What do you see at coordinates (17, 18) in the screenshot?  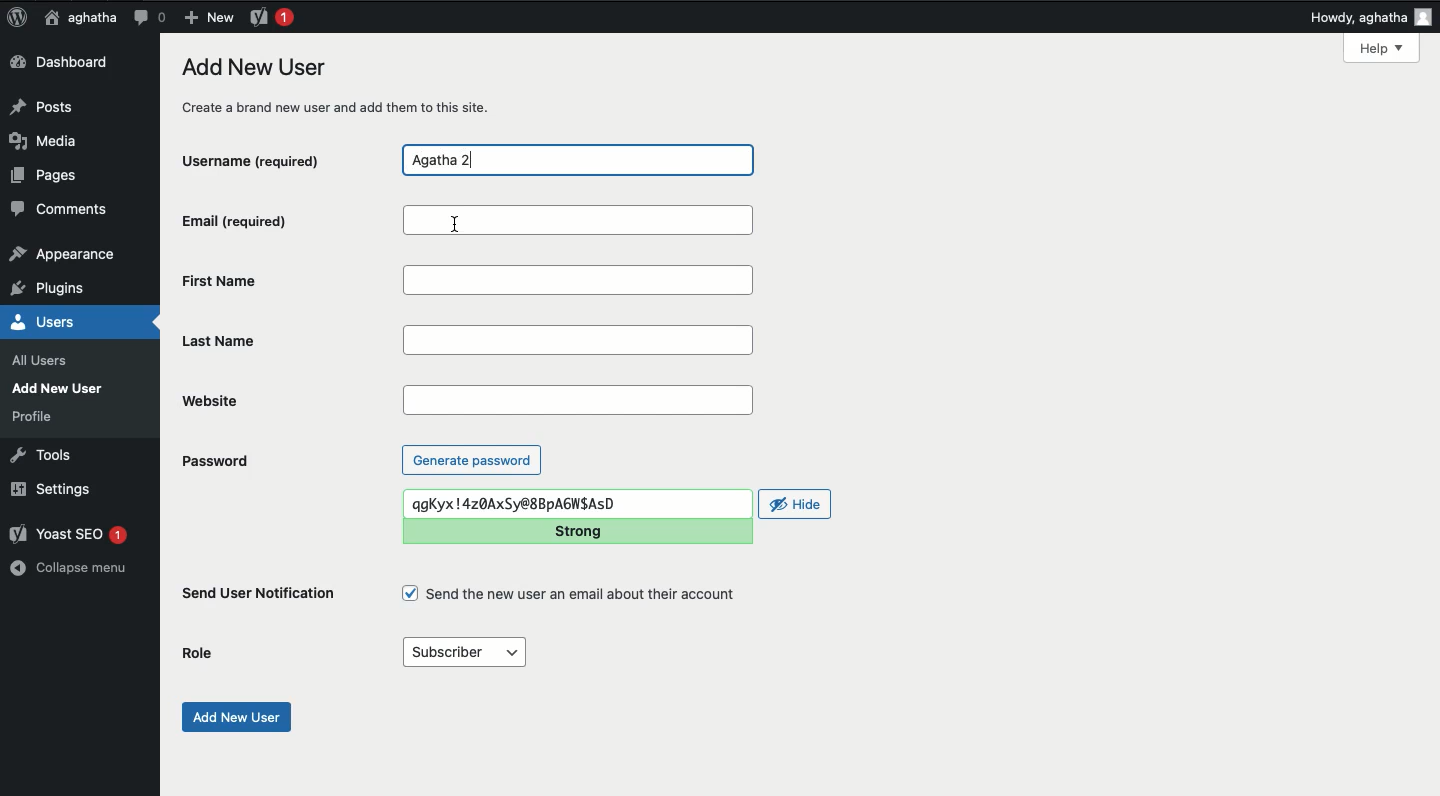 I see `Logo` at bounding box center [17, 18].